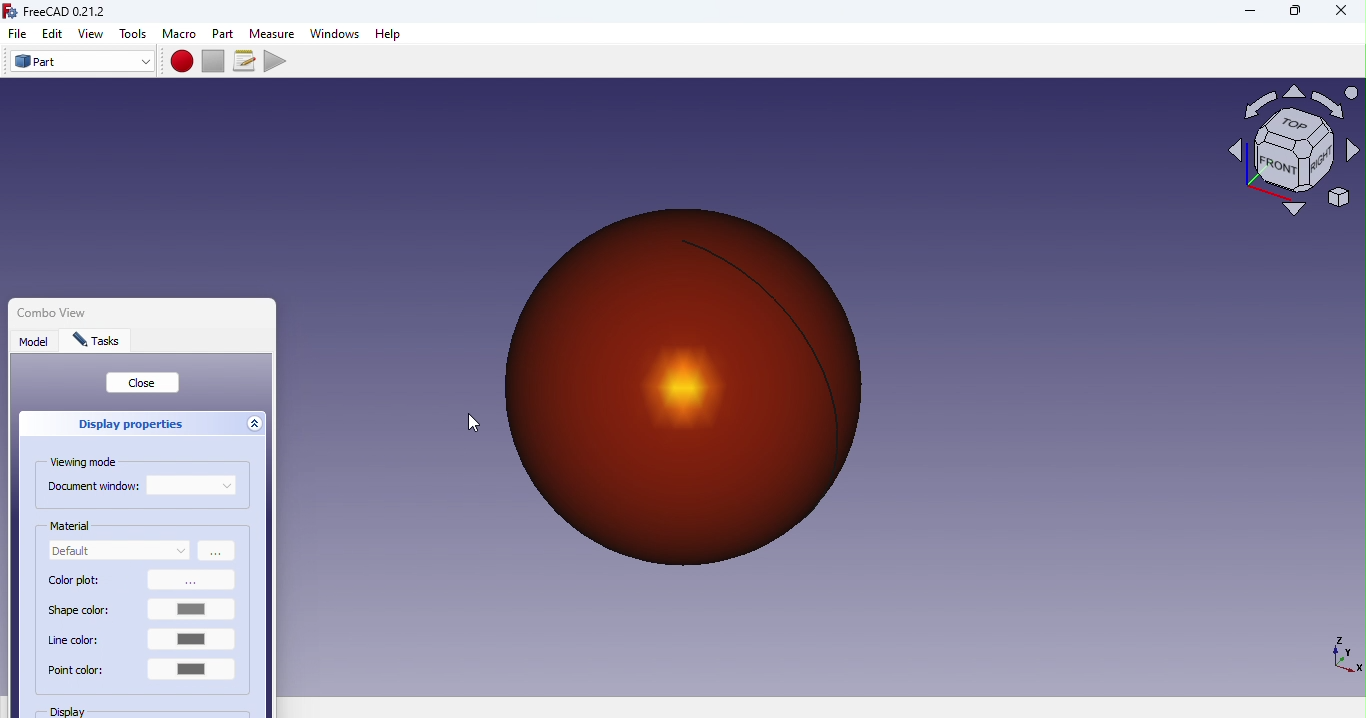  Describe the element at coordinates (225, 33) in the screenshot. I see `Part` at that location.